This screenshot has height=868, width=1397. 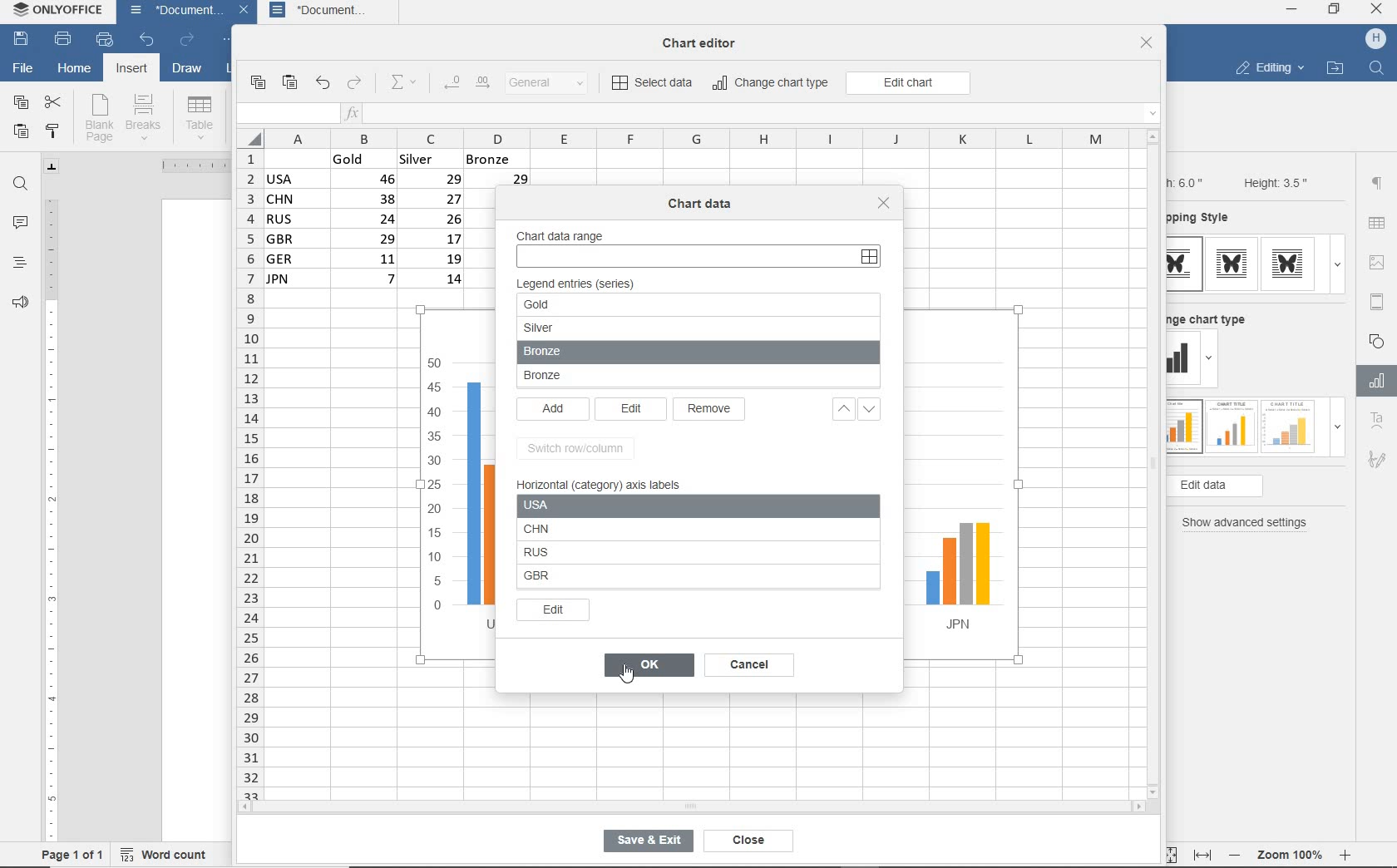 I want to click on restore down, so click(x=1335, y=11).